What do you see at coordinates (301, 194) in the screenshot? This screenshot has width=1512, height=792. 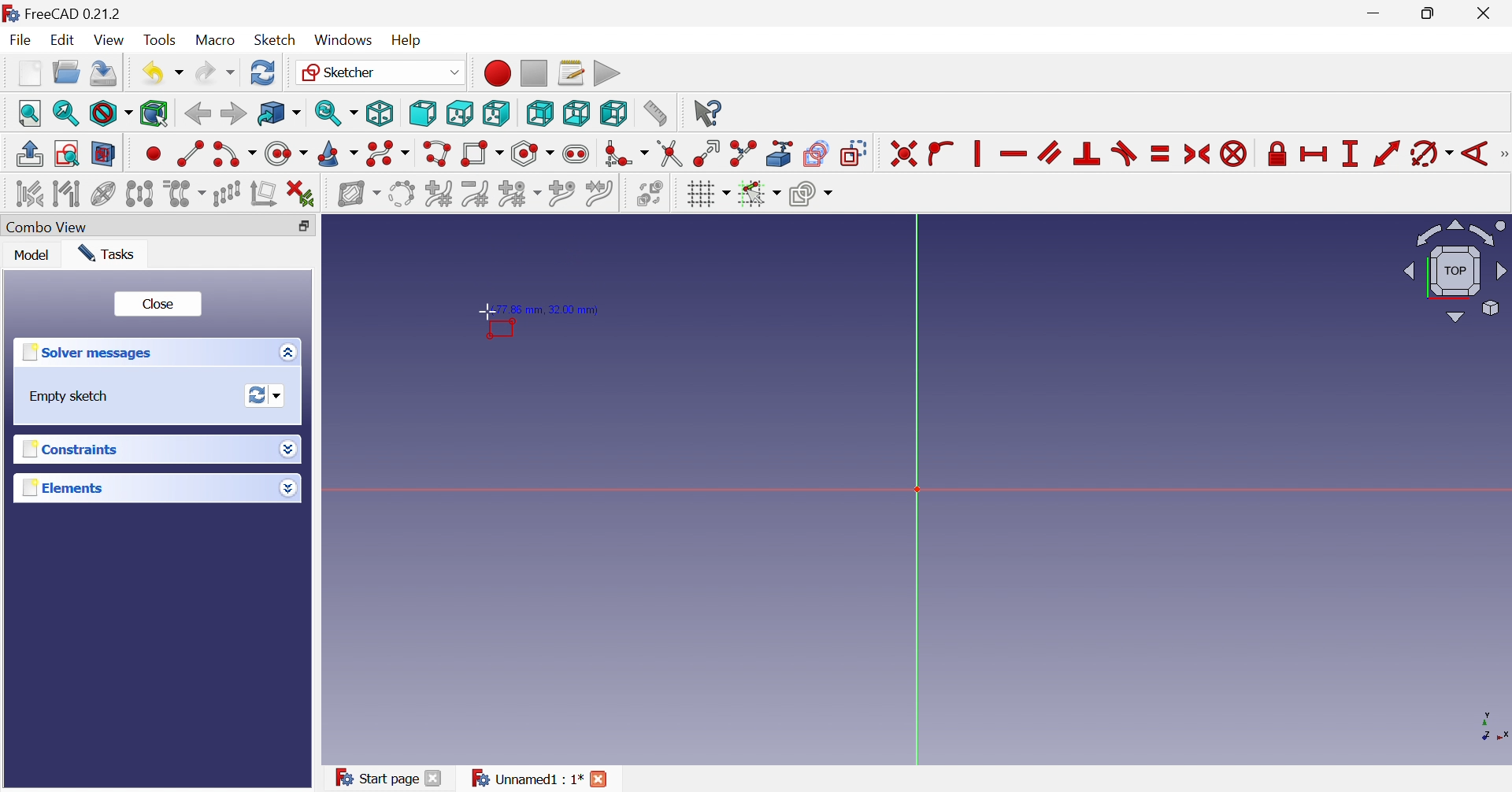 I see `` at bounding box center [301, 194].